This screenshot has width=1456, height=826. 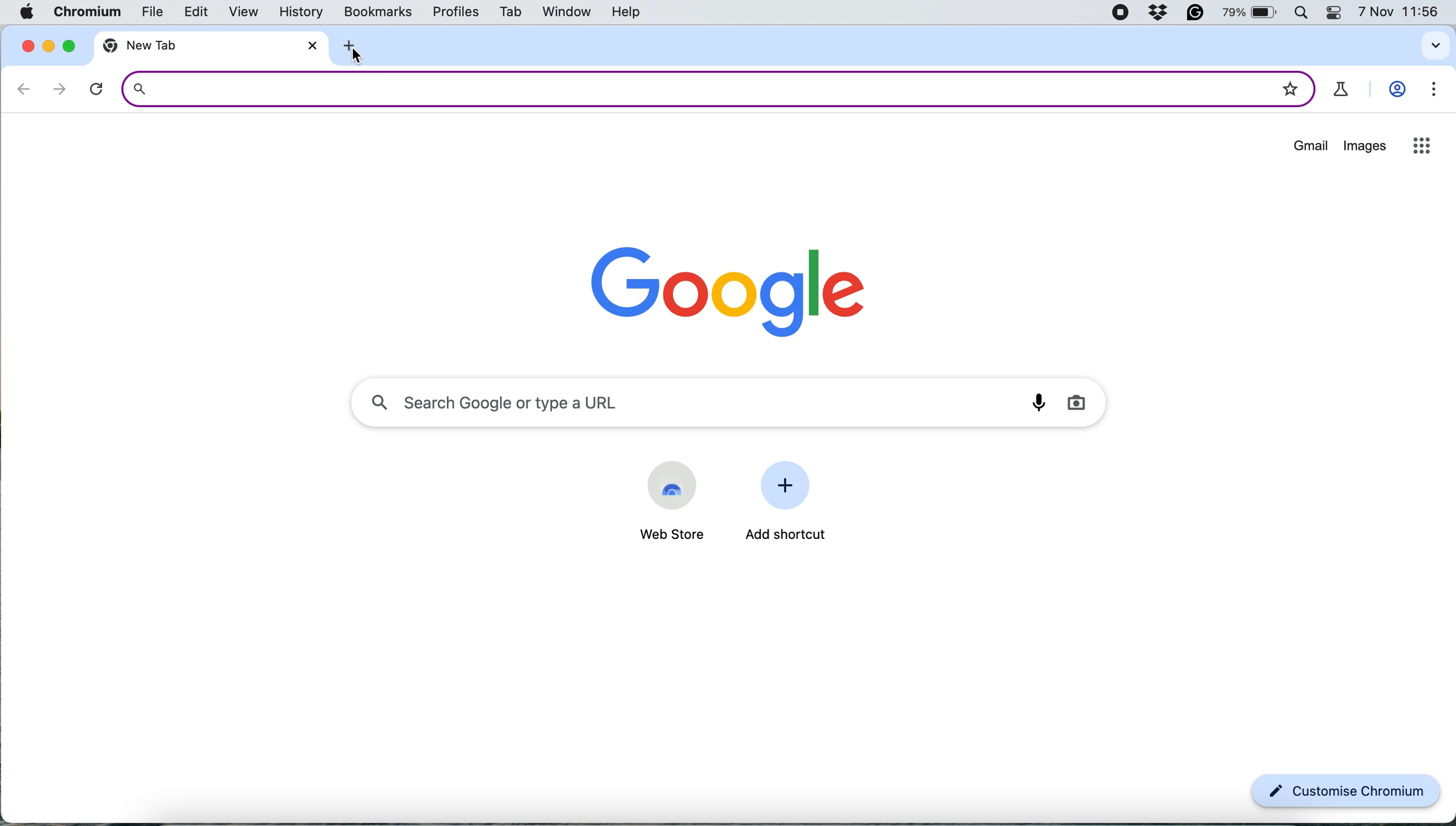 What do you see at coordinates (1420, 145) in the screenshot?
I see `google apps` at bounding box center [1420, 145].